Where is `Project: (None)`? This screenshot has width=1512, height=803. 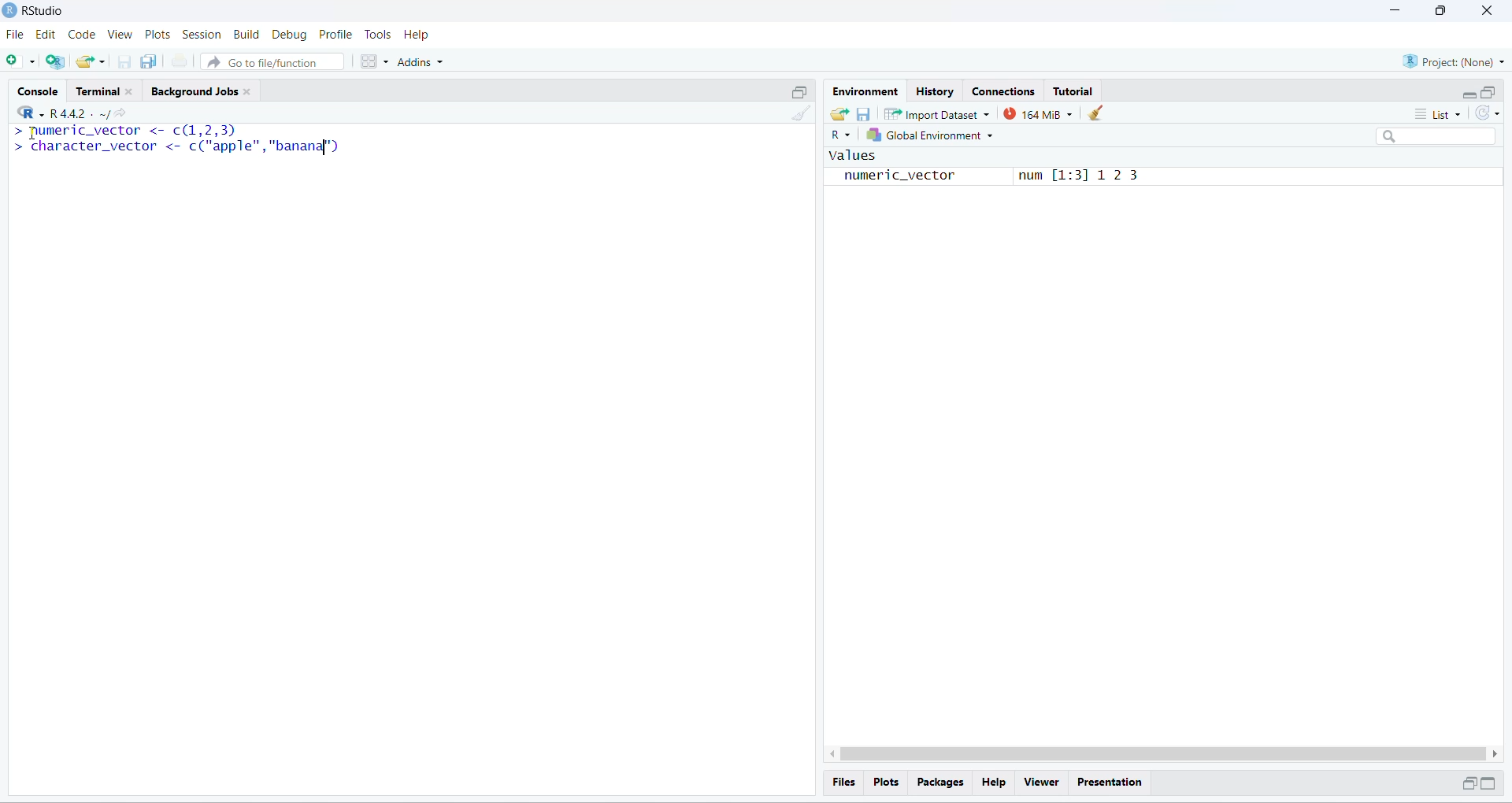 Project: (None) is located at coordinates (1455, 61).